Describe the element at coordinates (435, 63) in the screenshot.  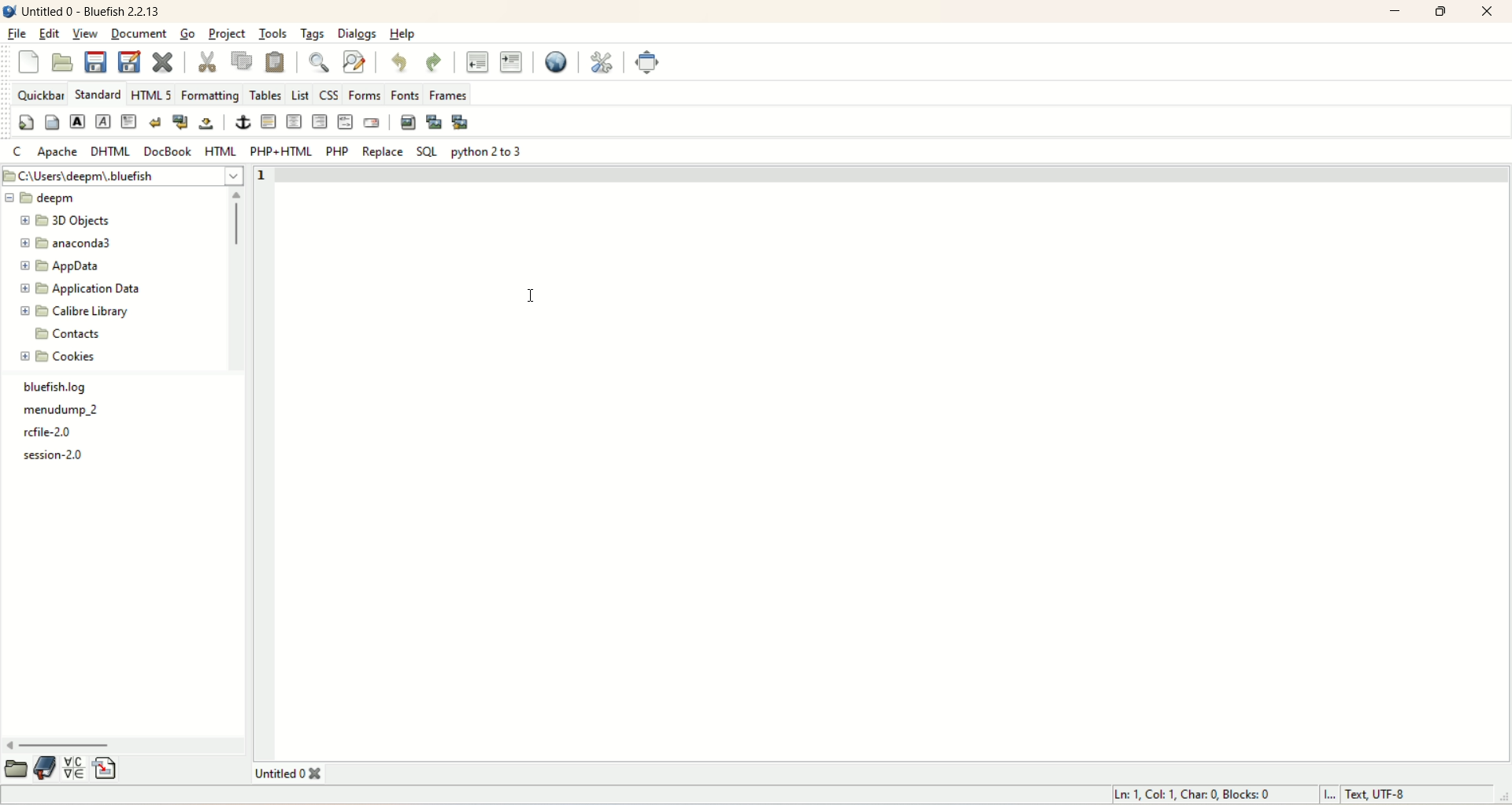
I see `redo` at that location.